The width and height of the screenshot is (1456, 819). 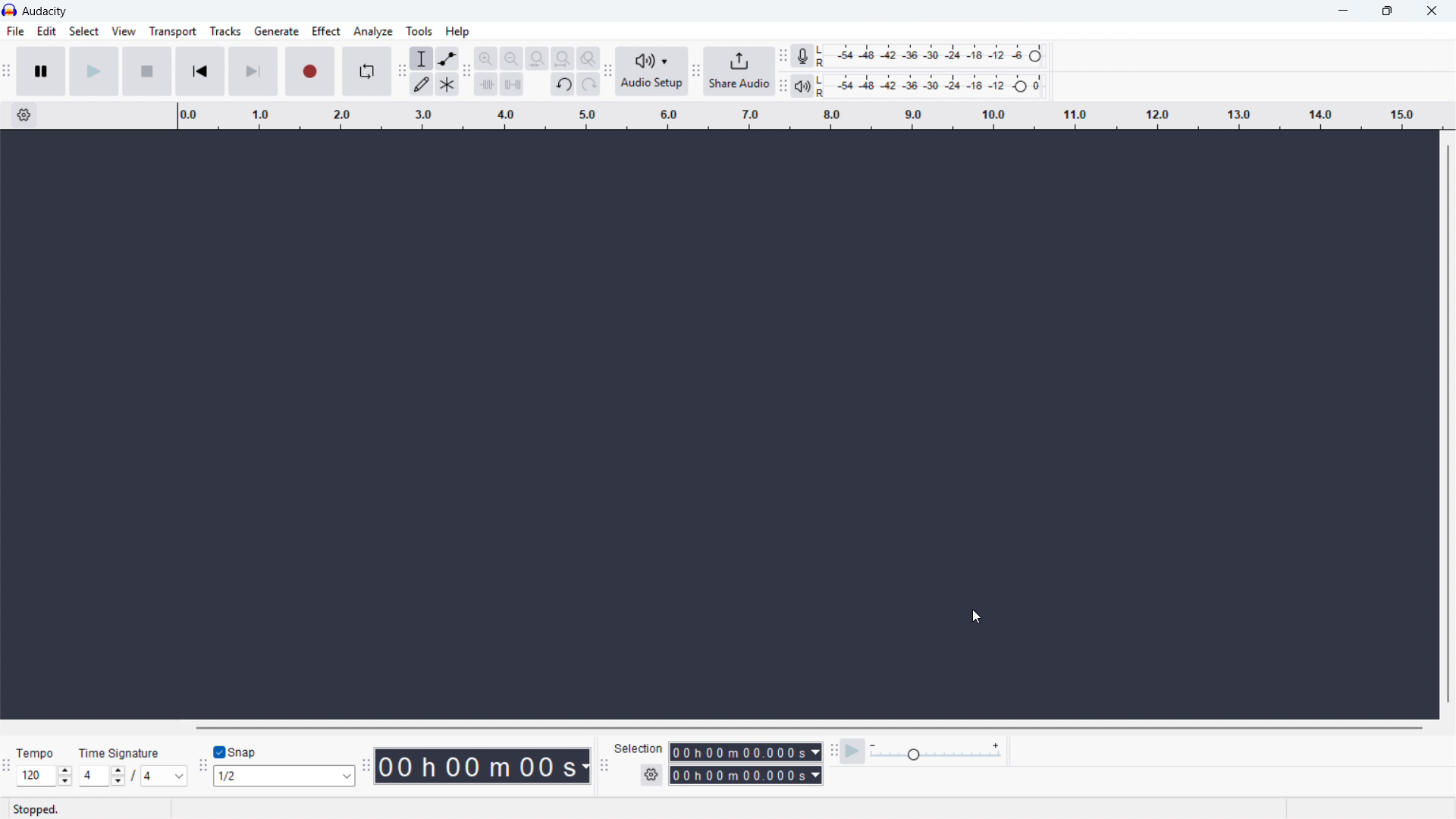 I want to click on zoom in, so click(x=486, y=58).